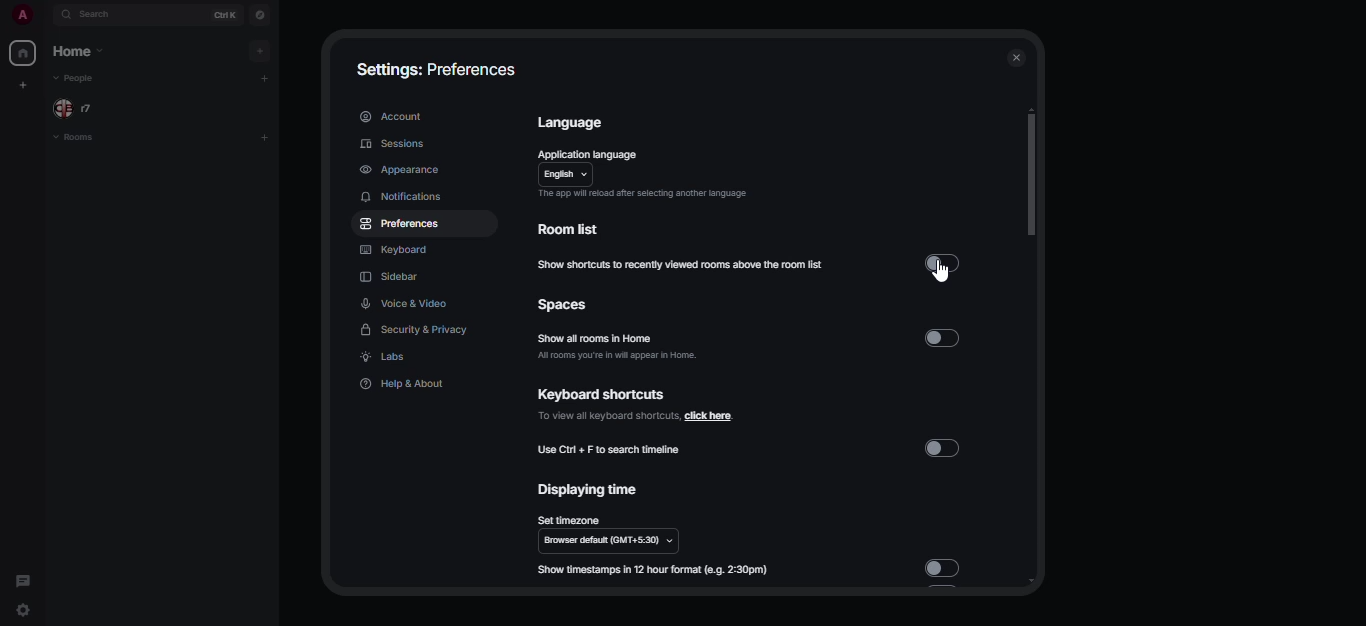  Describe the element at coordinates (406, 304) in the screenshot. I see `voice & video` at that location.